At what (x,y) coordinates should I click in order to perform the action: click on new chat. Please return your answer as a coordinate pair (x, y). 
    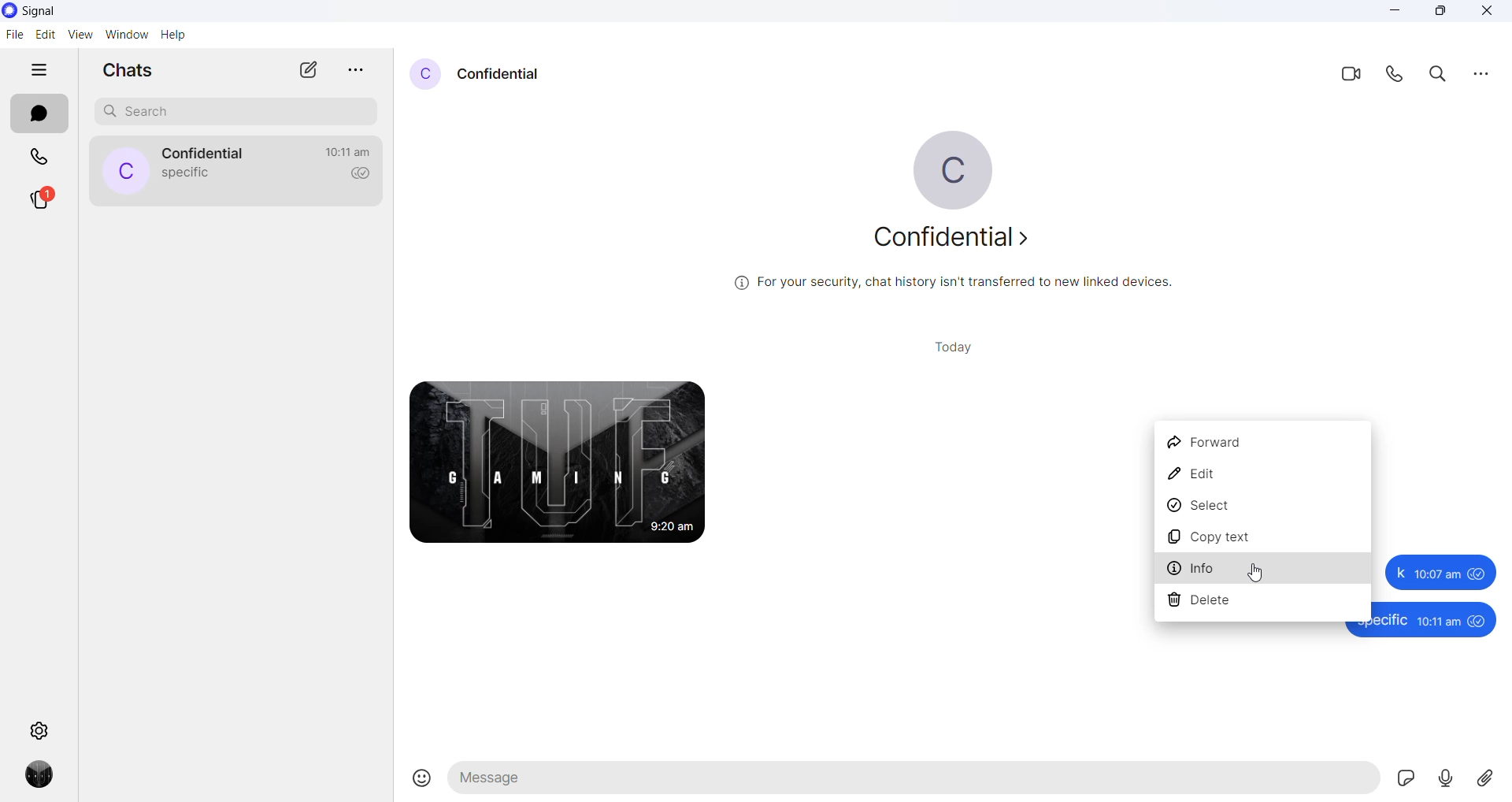
    Looking at the image, I should click on (309, 70).